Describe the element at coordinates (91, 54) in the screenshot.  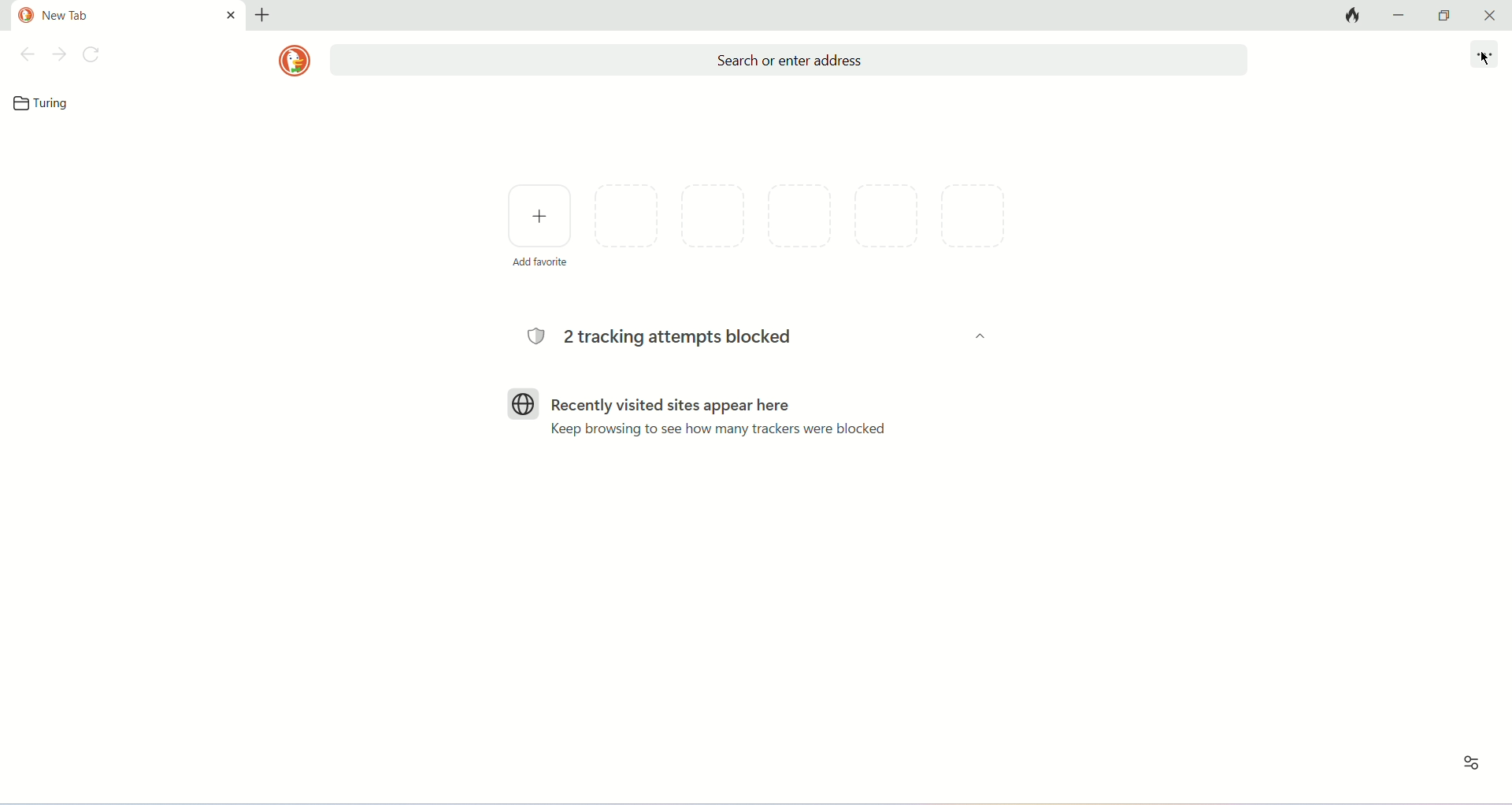
I see `refresh` at that location.